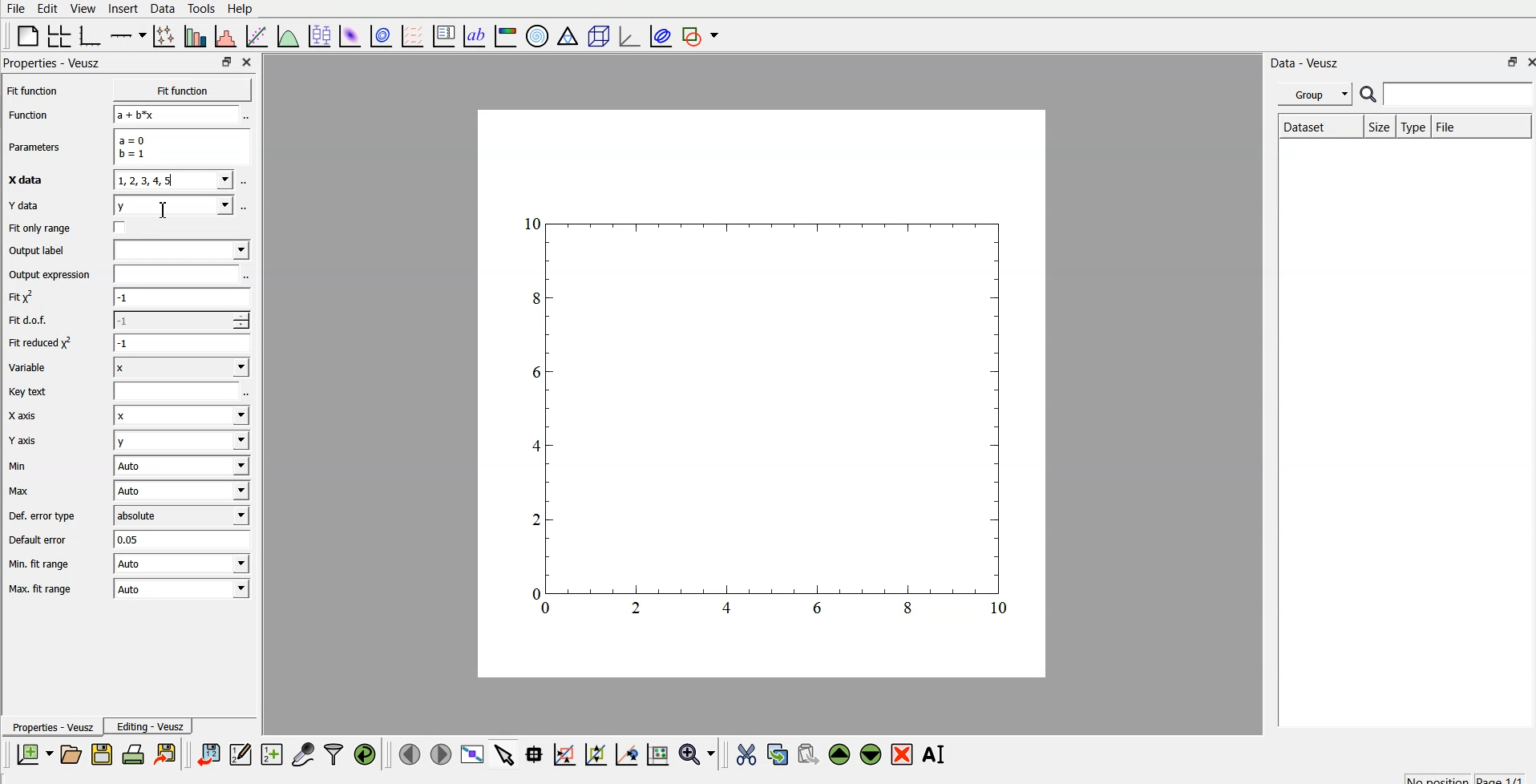 The width and height of the screenshot is (1536, 784). Describe the element at coordinates (367, 755) in the screenshot. I see `reload linked data sets` at that location.